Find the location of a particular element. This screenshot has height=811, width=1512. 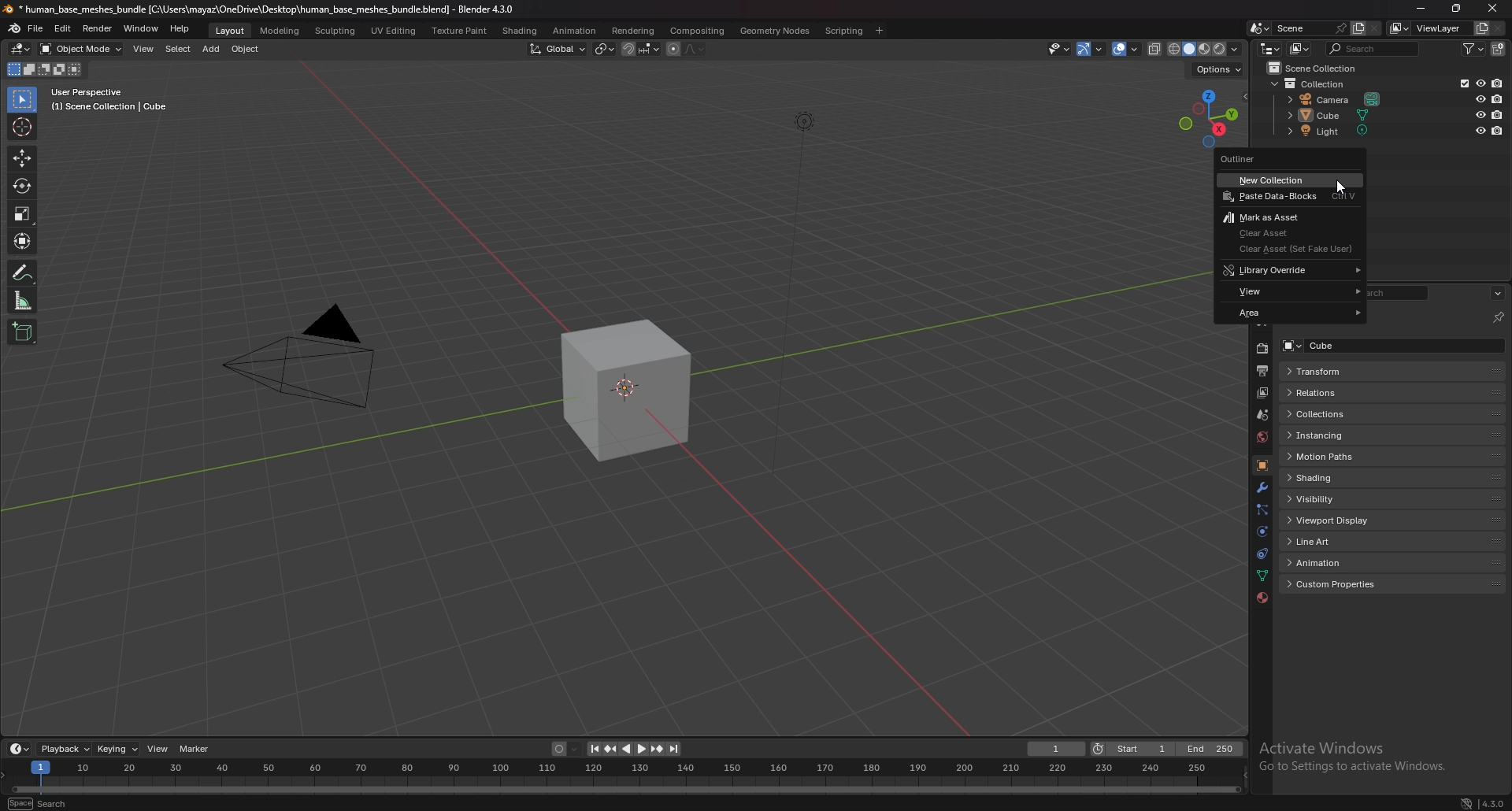

collection is located at coordinates (1315, 83).